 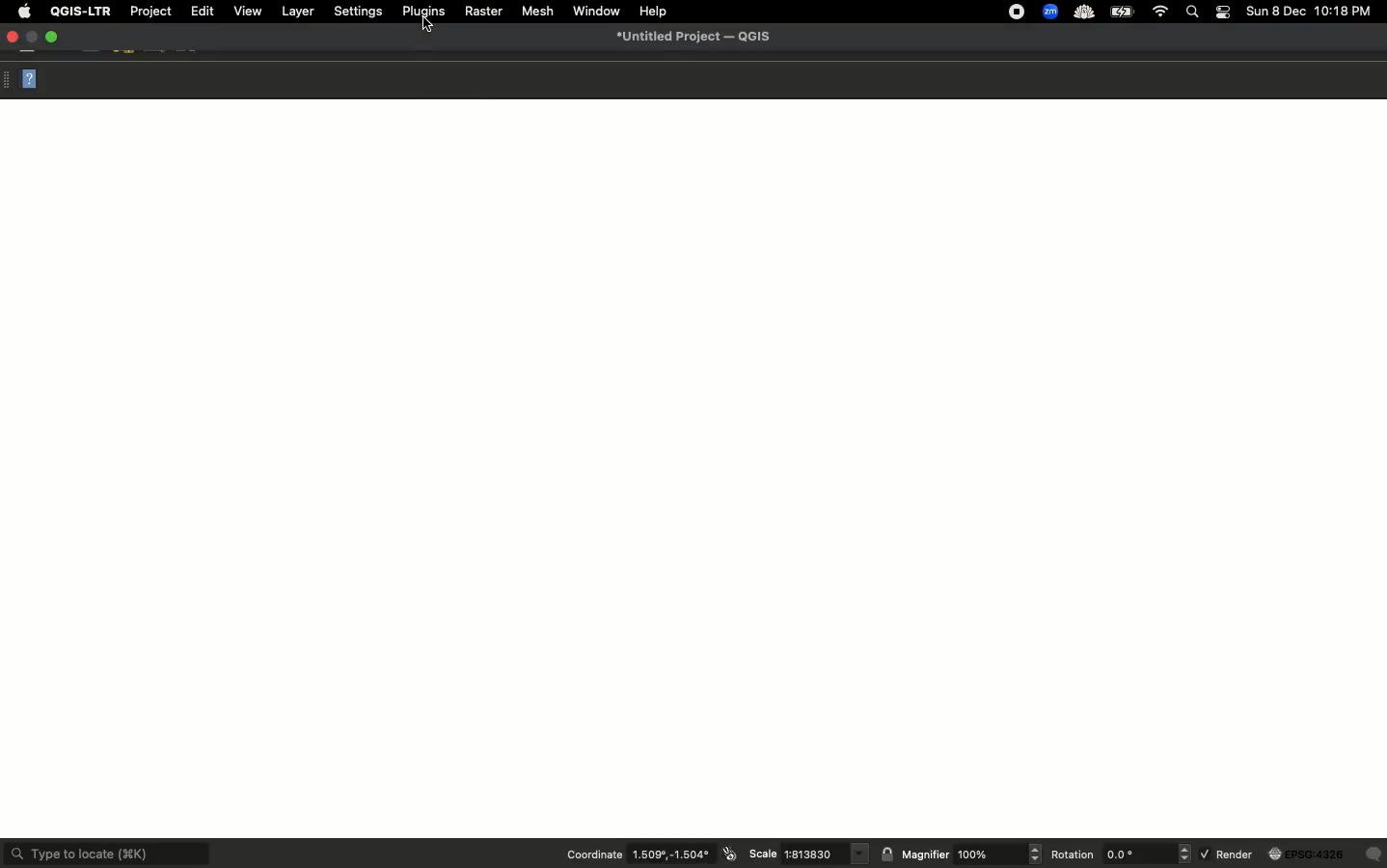 I want to click on Extensions, so click(x=1069, y=12).